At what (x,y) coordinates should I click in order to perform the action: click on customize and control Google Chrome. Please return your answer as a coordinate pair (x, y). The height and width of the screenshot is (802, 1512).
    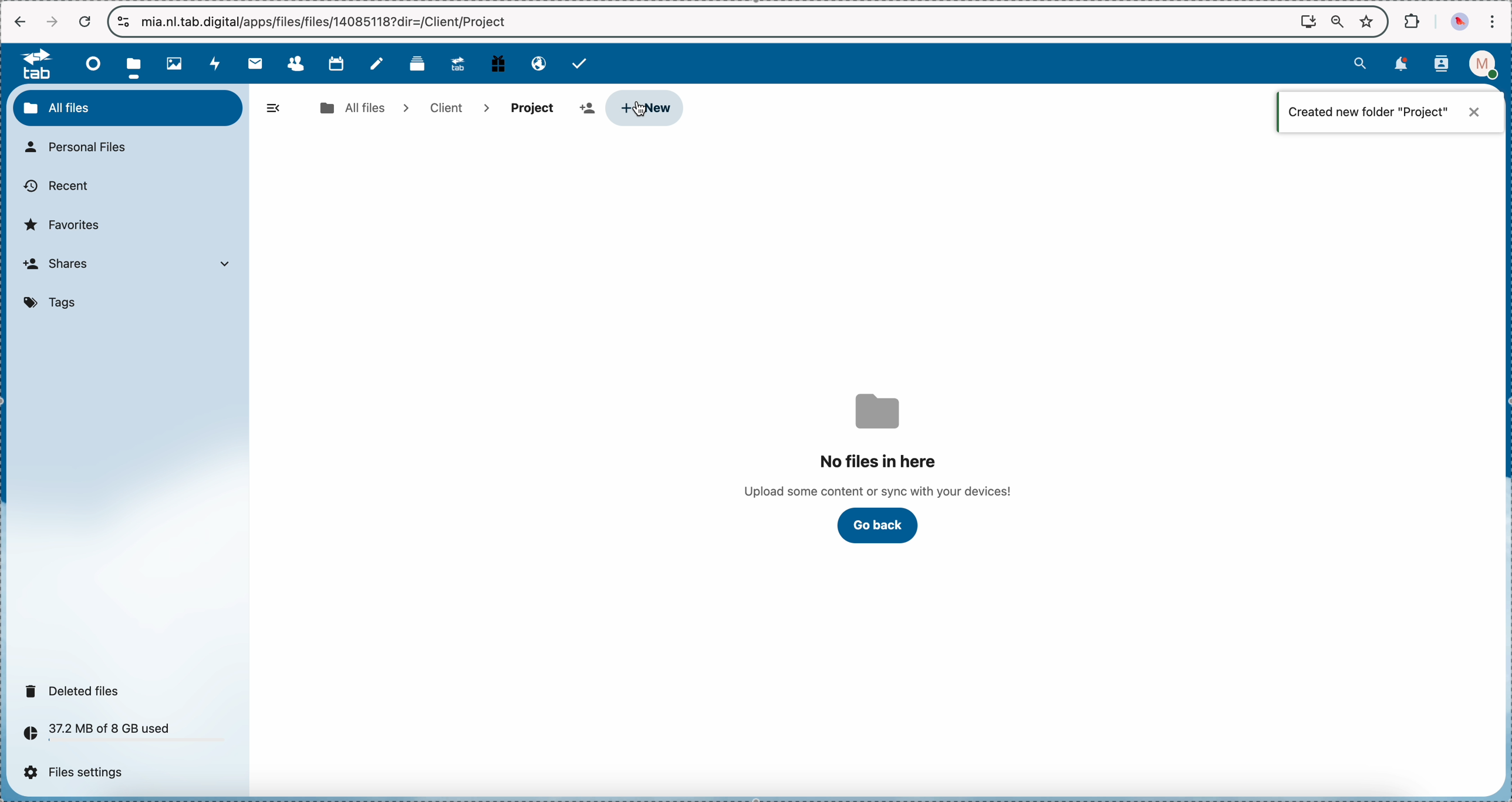
    Looking at the image, I should click on (1491, 21).